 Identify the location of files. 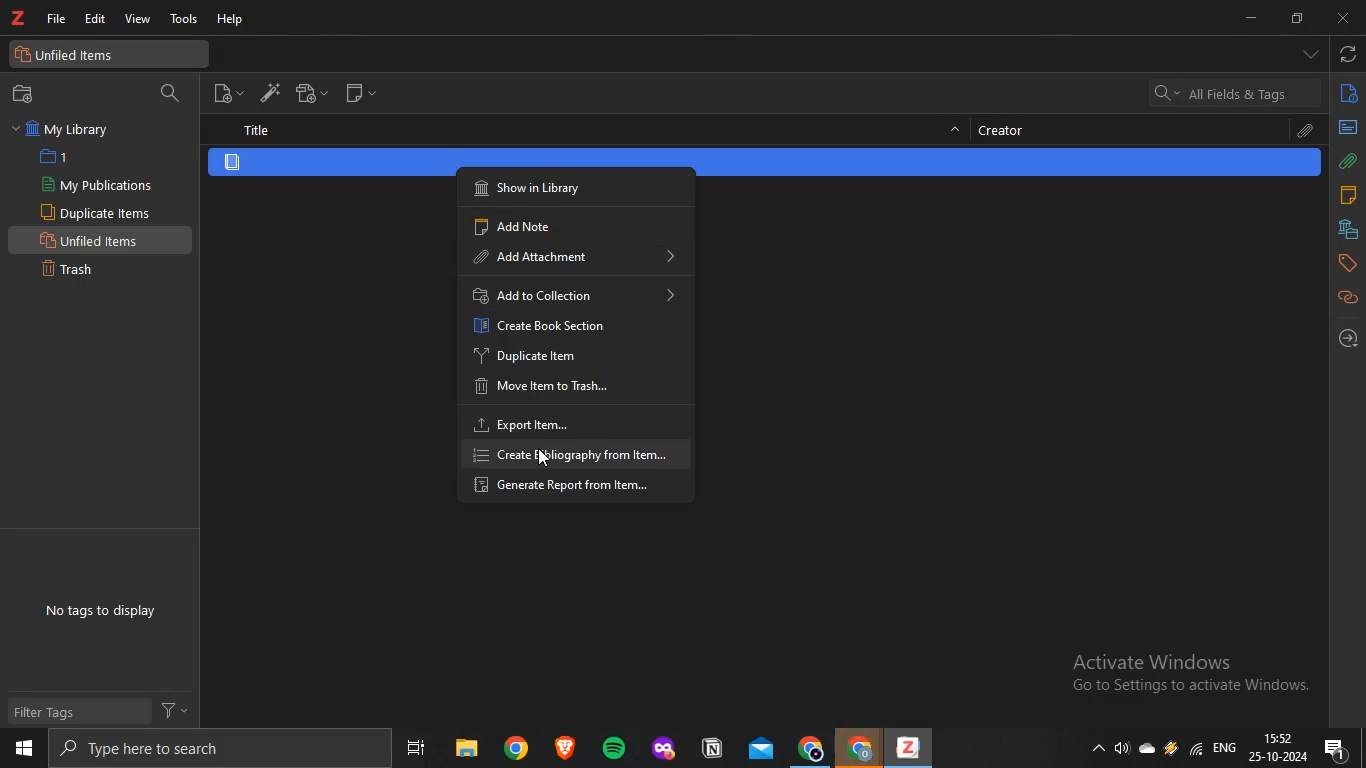
(465, 748).